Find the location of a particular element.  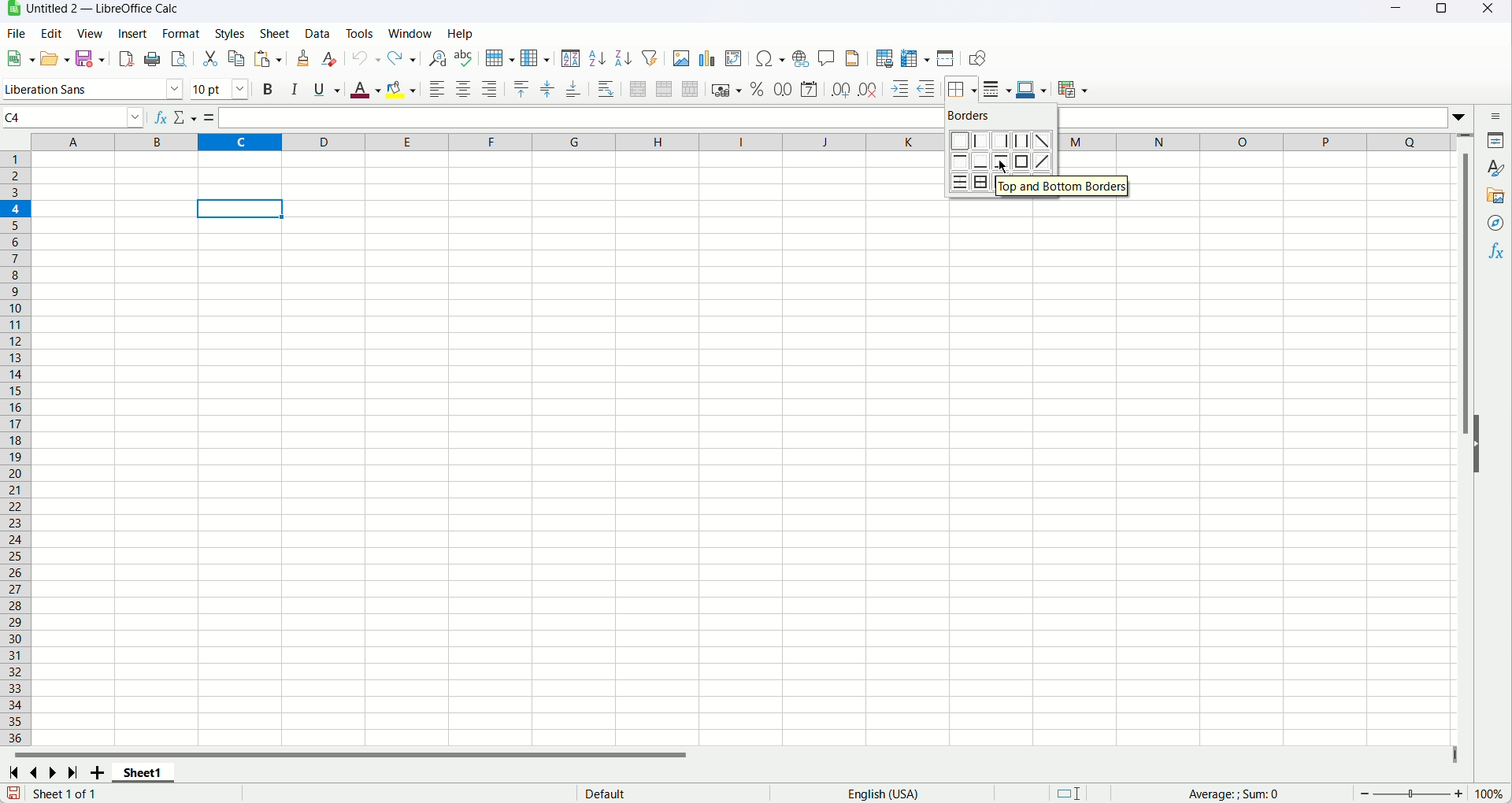

Borders is located at coordinates (963, 89).